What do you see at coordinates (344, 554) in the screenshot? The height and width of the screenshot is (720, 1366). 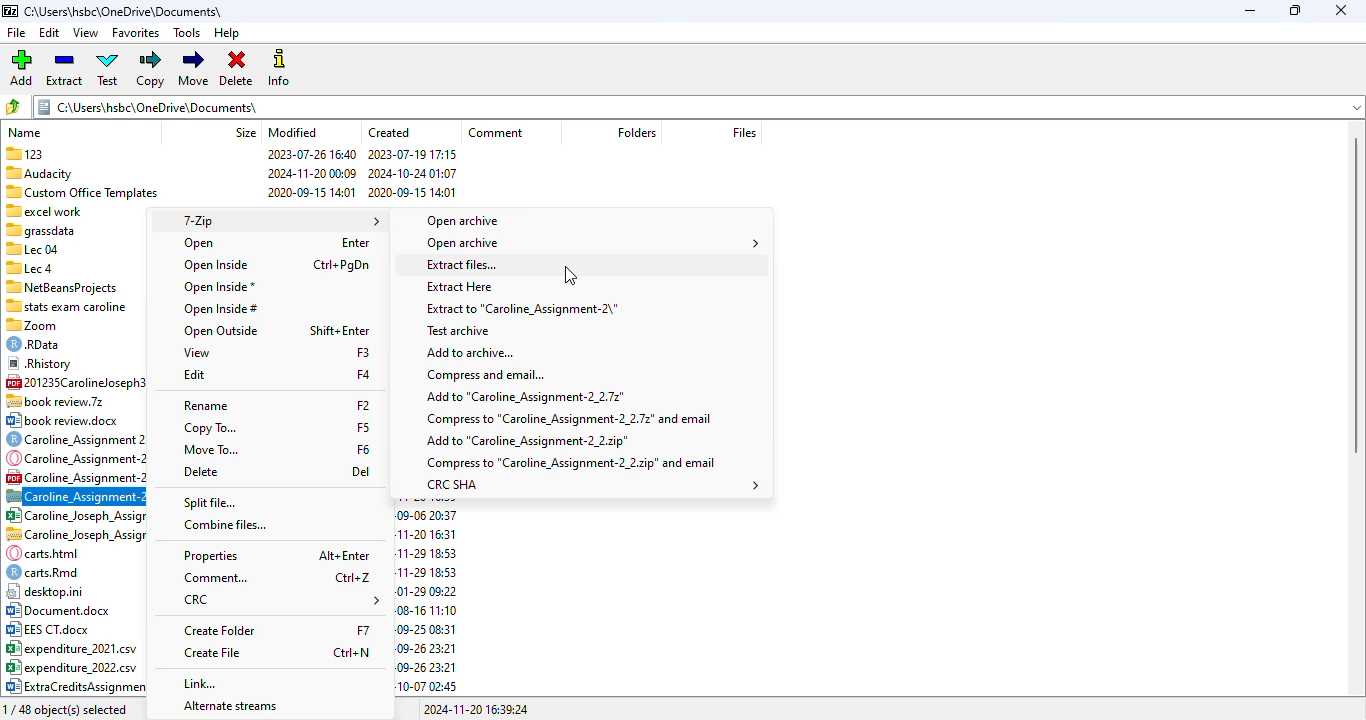 I see `shortcut for properties` at bounding box center [344, 554].